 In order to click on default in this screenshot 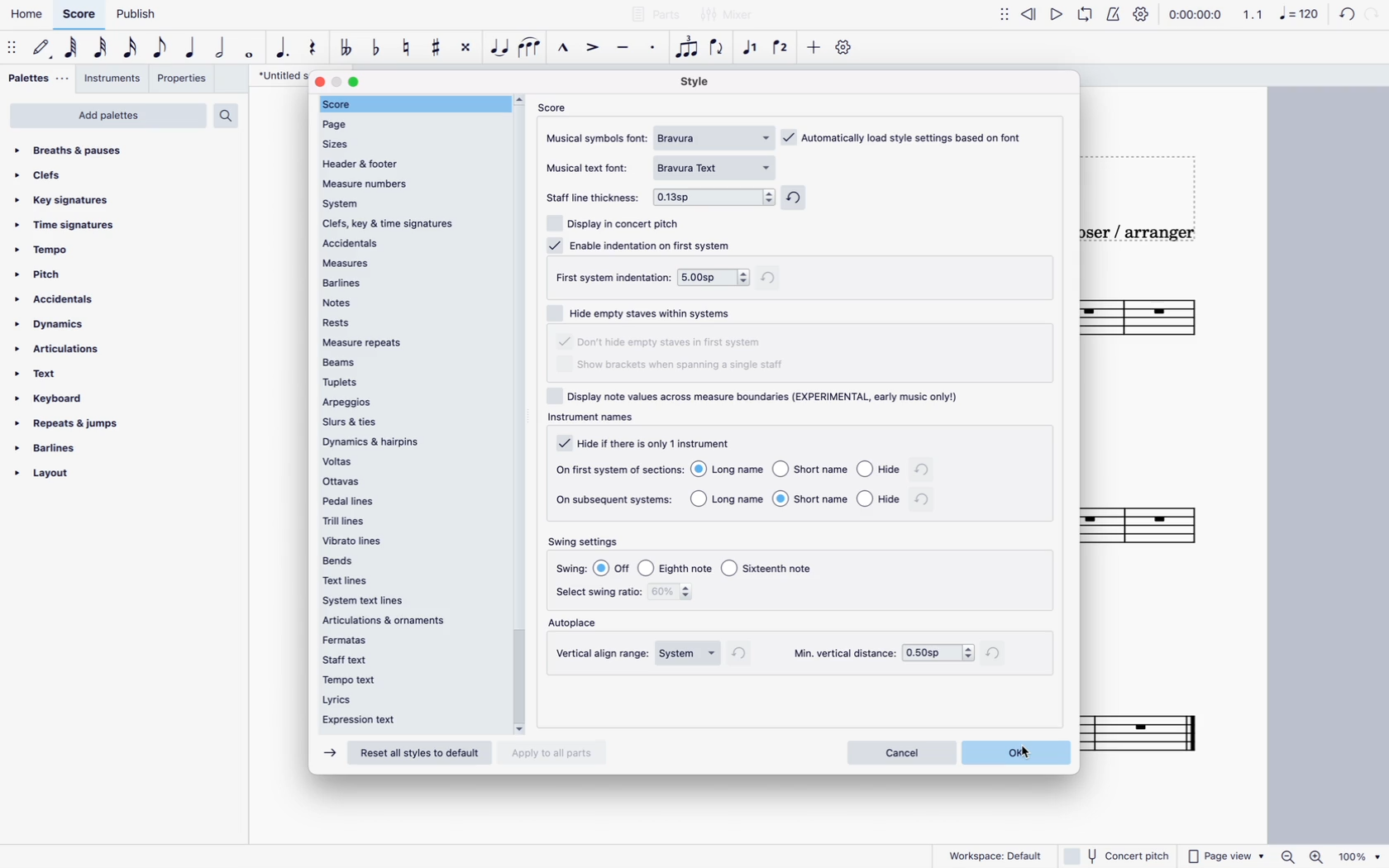, I will do `click(41, 46)`.